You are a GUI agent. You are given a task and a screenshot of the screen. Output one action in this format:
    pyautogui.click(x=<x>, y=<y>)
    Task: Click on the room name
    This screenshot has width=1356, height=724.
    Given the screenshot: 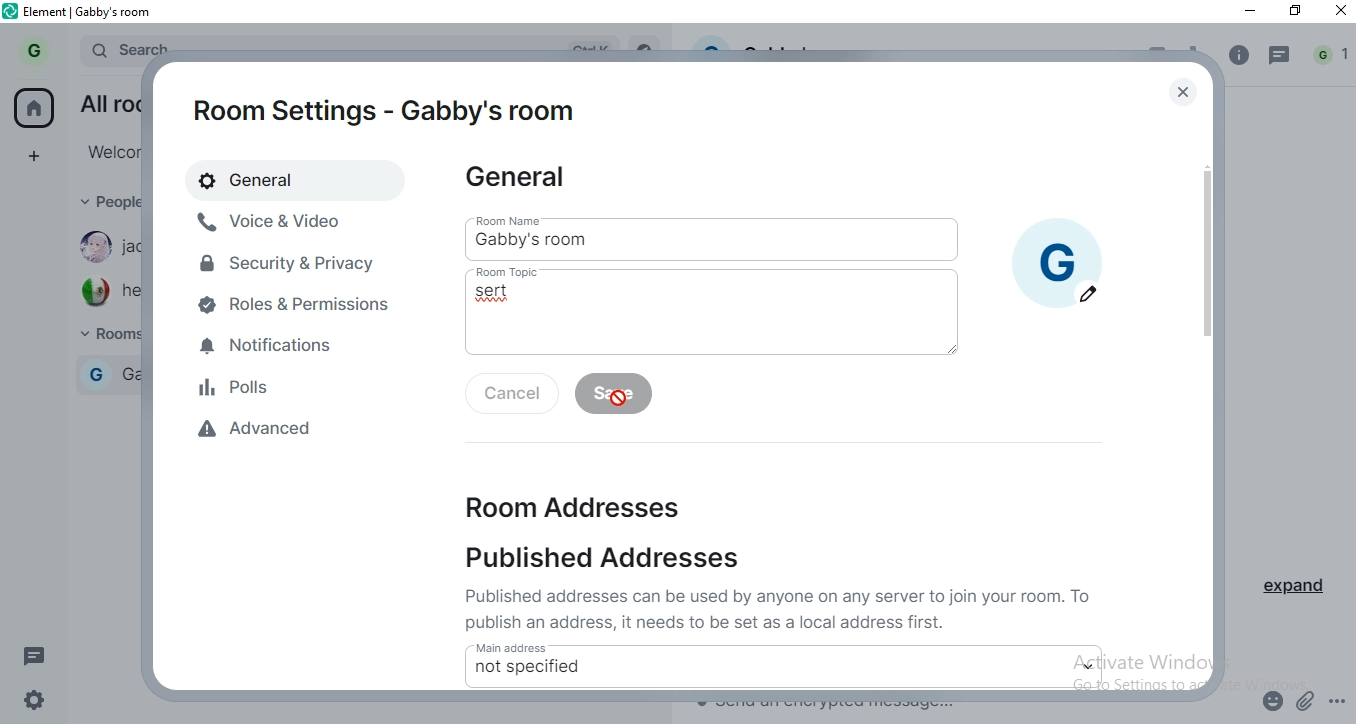 What is the action you would take?
    pyautogui.click(x=520, y=219)
    